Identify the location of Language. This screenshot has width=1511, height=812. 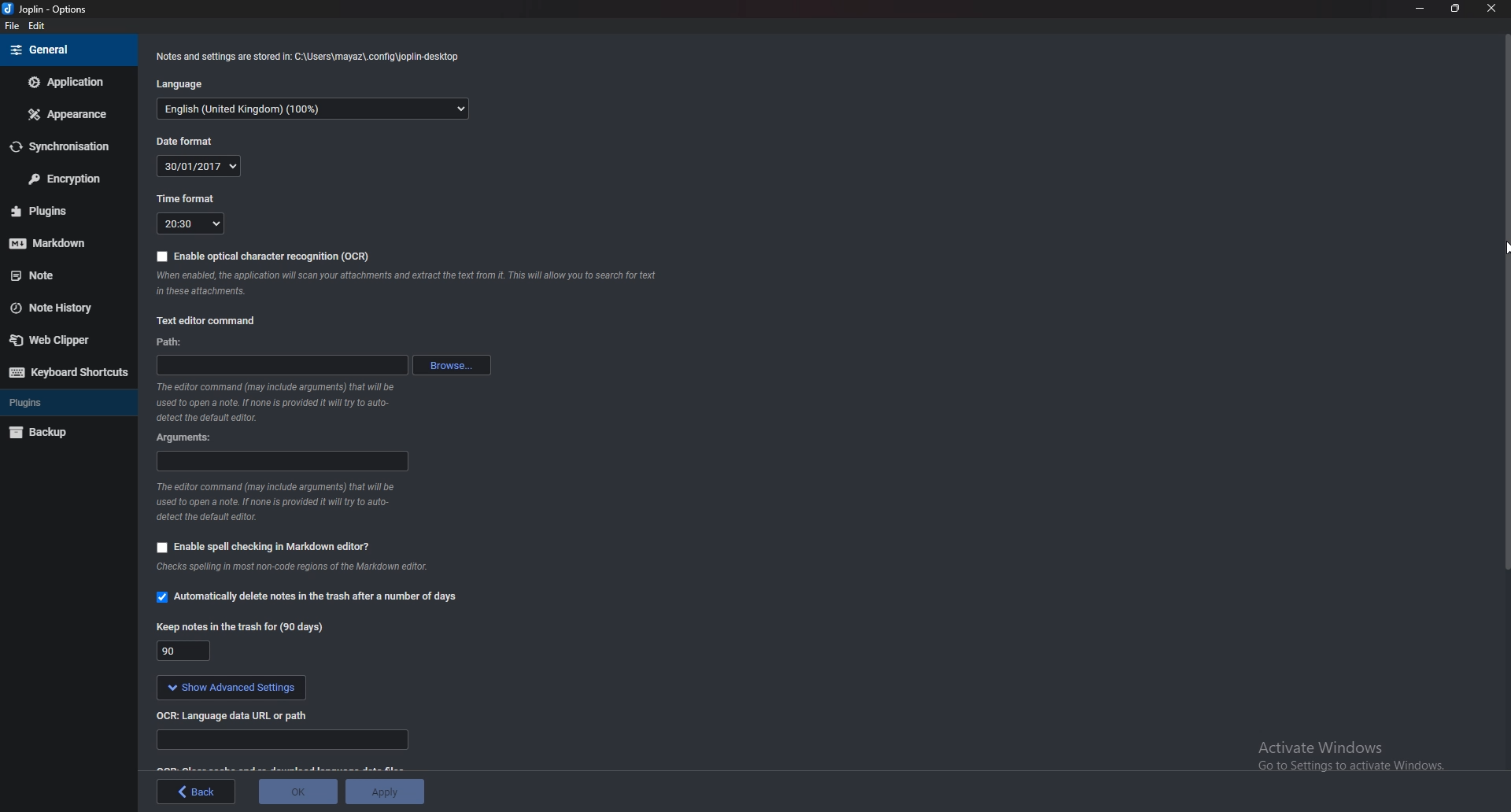
(187, 83).